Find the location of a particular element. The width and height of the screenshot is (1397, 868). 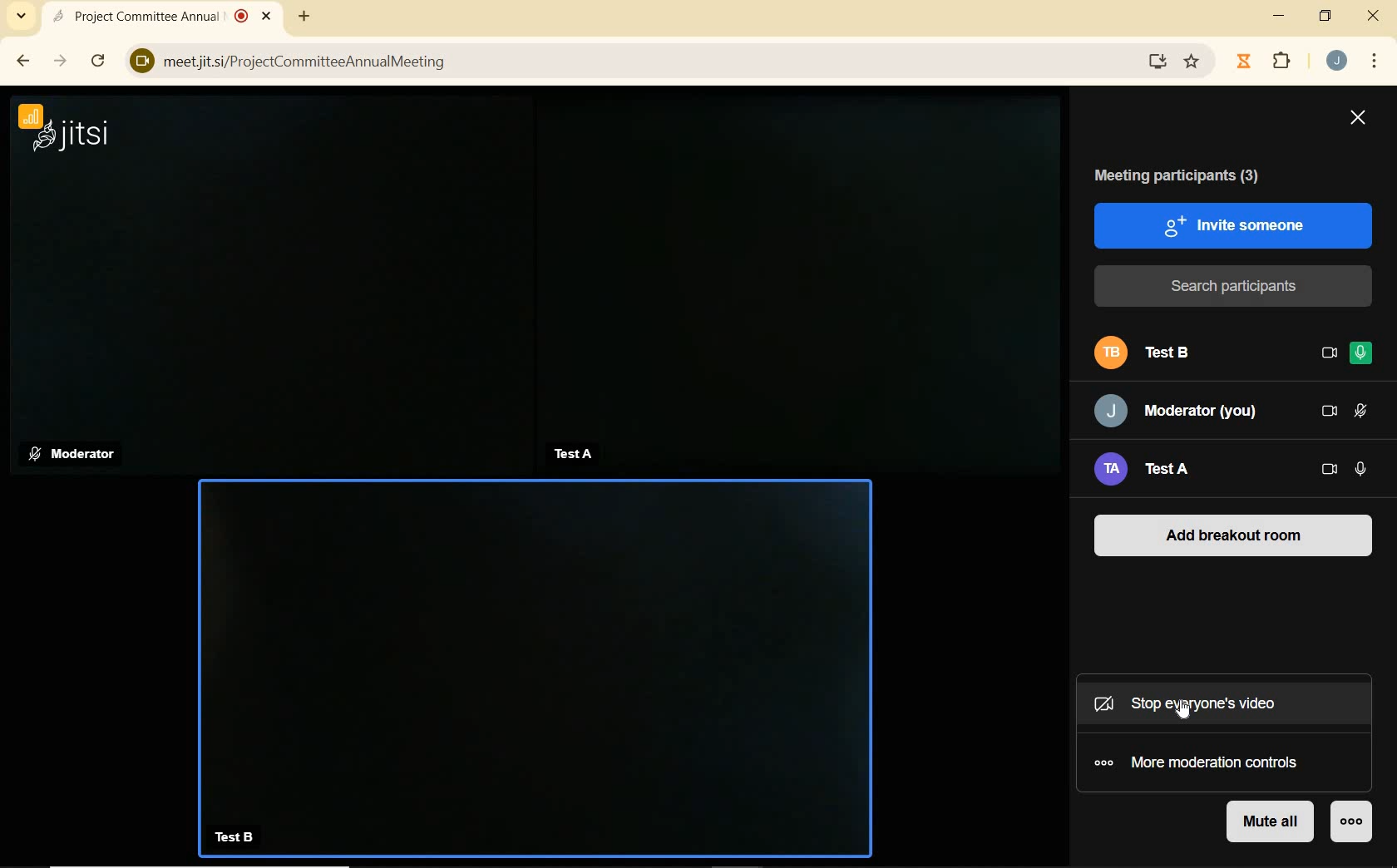

Project Committee Annual is located at coordinates (176, 17).